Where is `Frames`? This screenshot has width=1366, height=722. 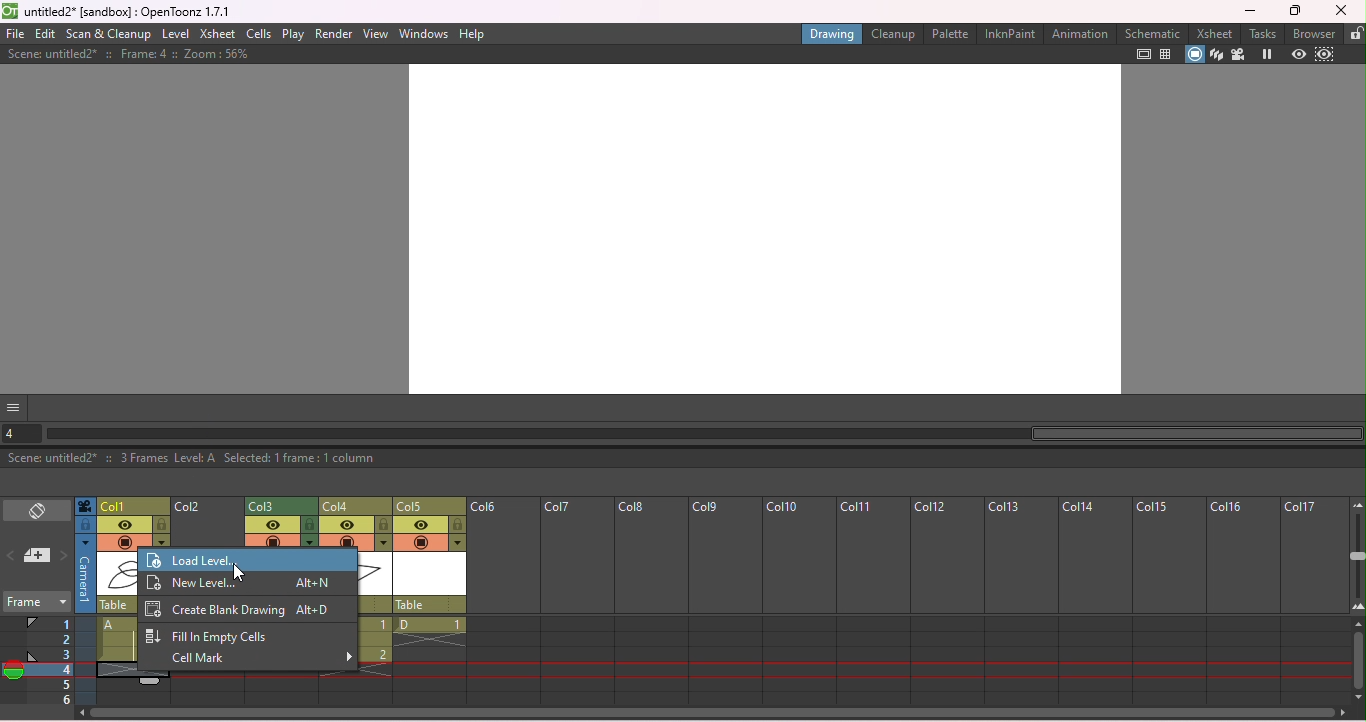
Frames is located at coordinates (51, 660).